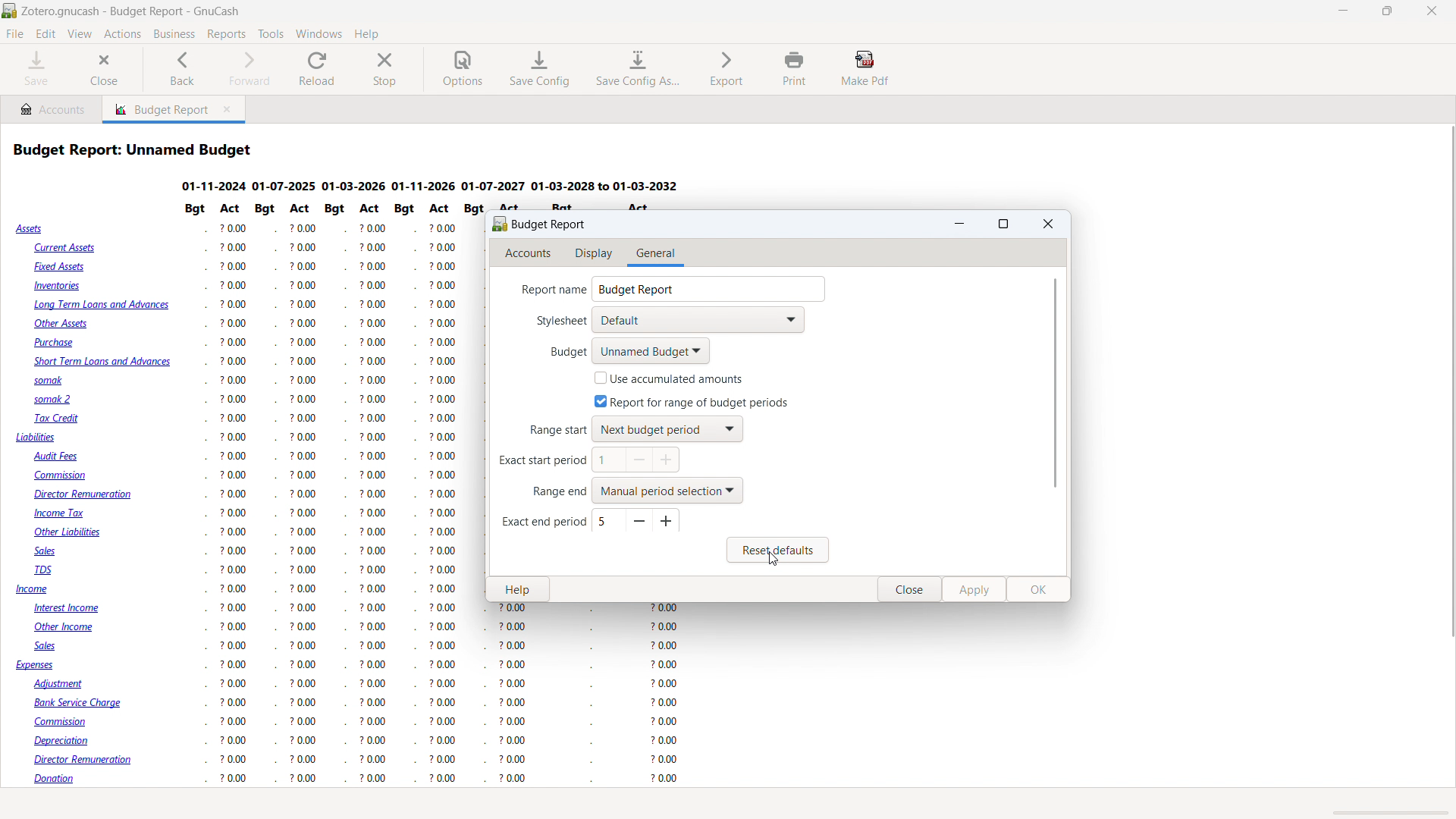  I want to click on minimize, so click(960, 224).